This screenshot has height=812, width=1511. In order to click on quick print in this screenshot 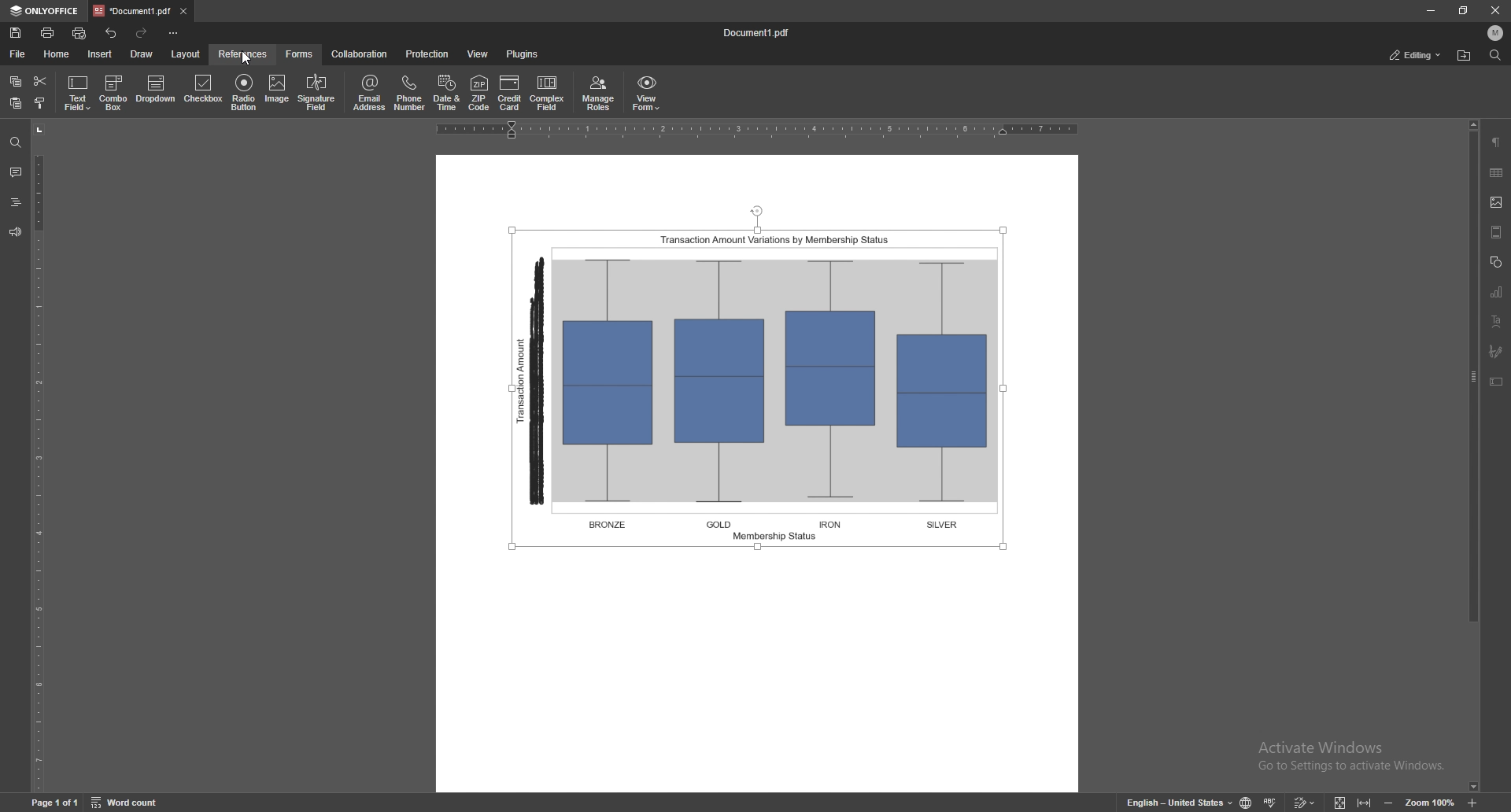, I will do `click(82, 33)`.